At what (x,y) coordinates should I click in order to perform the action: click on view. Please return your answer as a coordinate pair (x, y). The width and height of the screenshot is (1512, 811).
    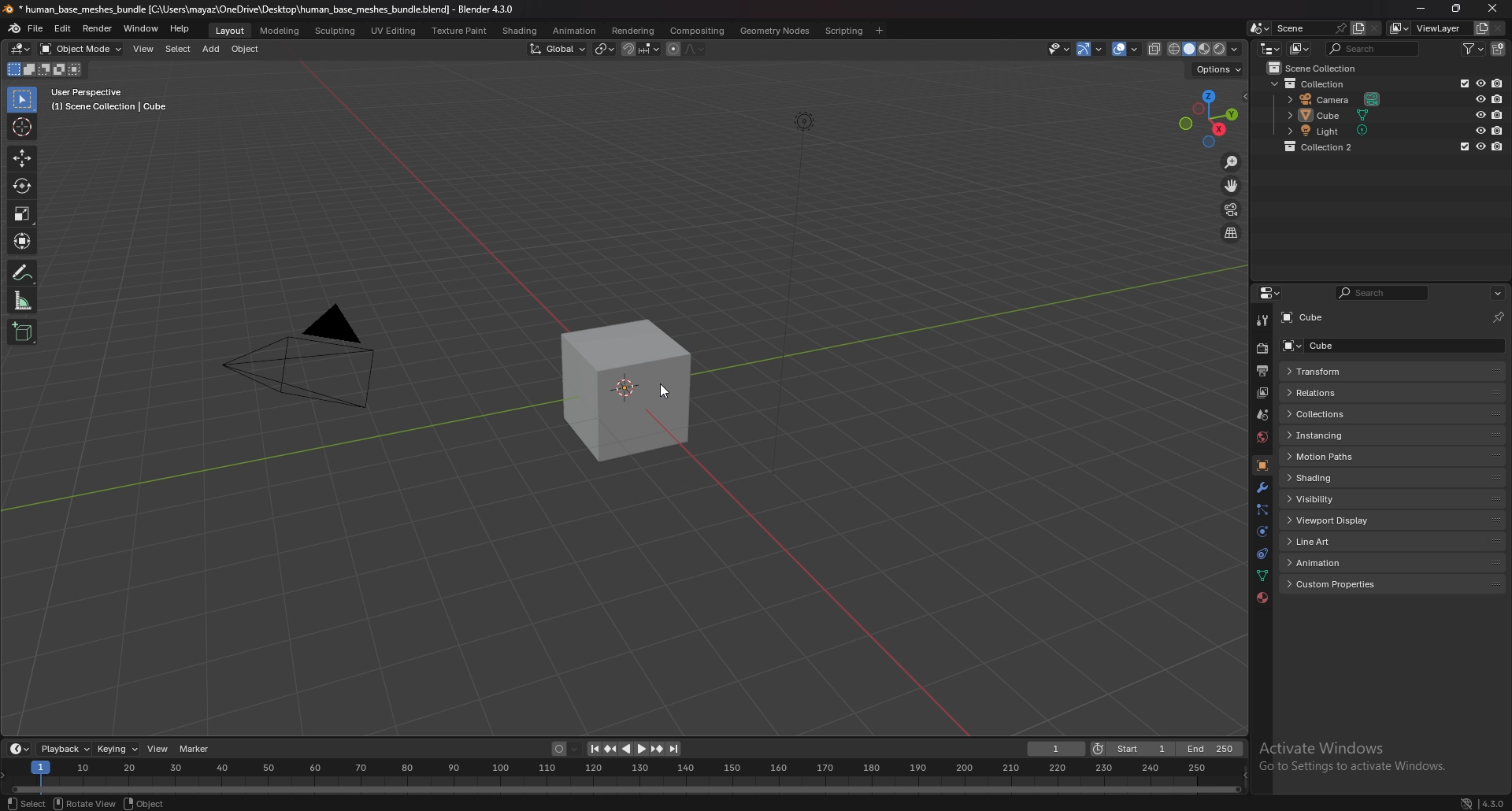
    Looking at the image, I should click on (159, 748).